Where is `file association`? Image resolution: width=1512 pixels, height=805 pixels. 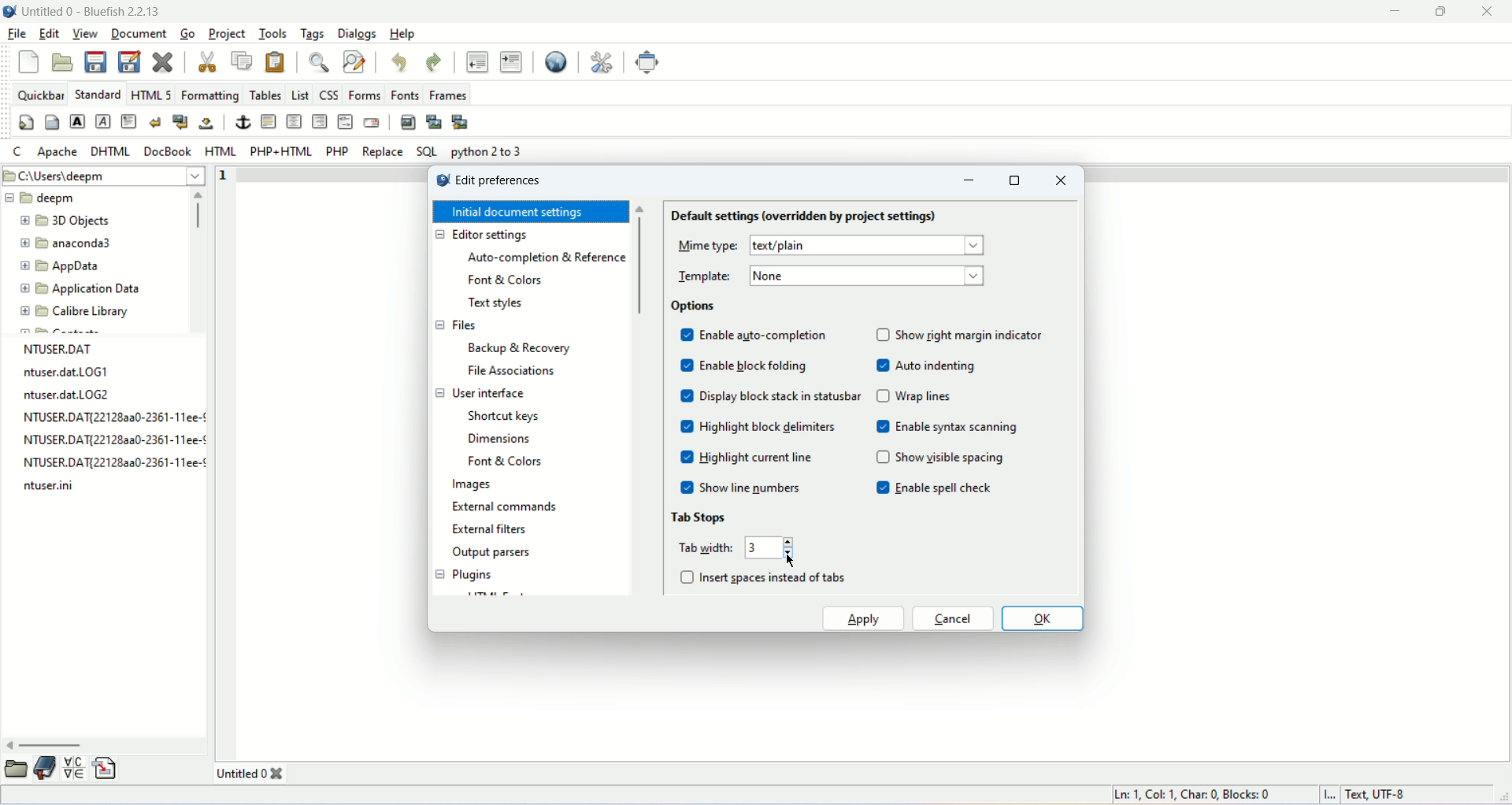 file association is located at coordinates (510, 370).